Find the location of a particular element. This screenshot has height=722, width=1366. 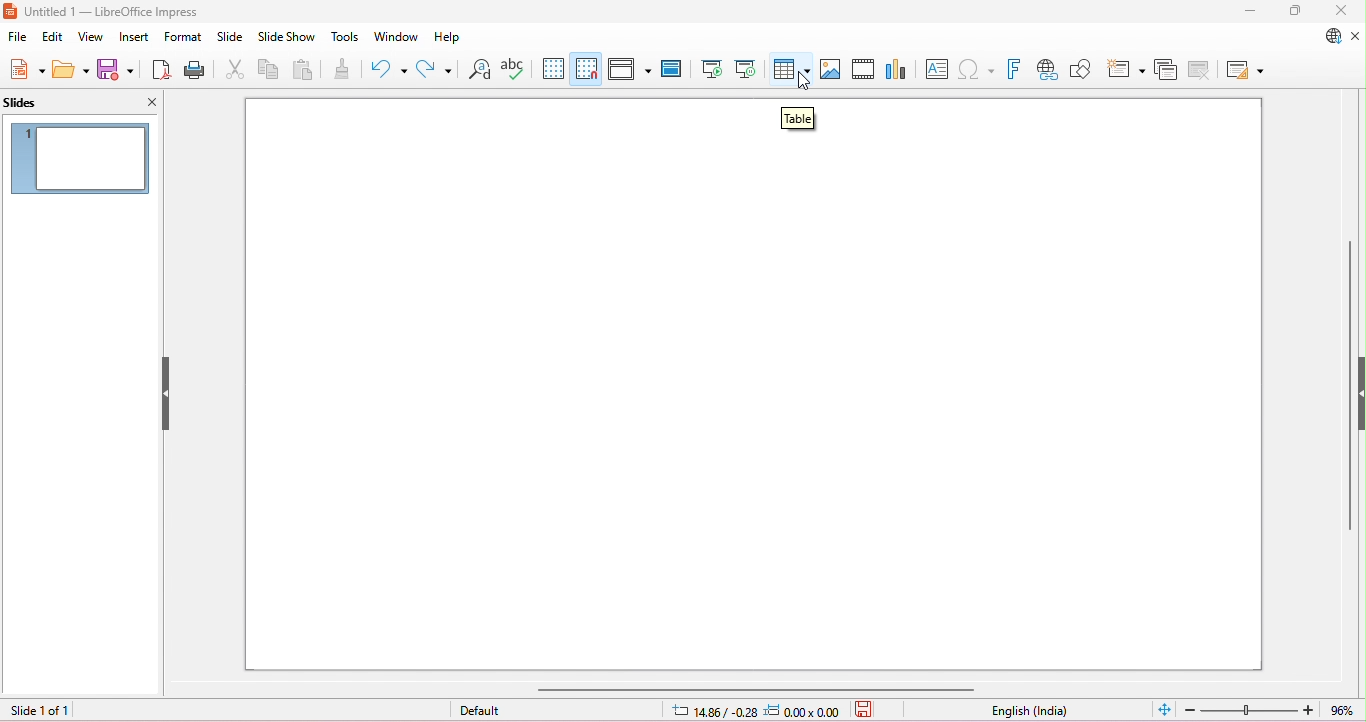

slide is located at coordinates (231, 37).